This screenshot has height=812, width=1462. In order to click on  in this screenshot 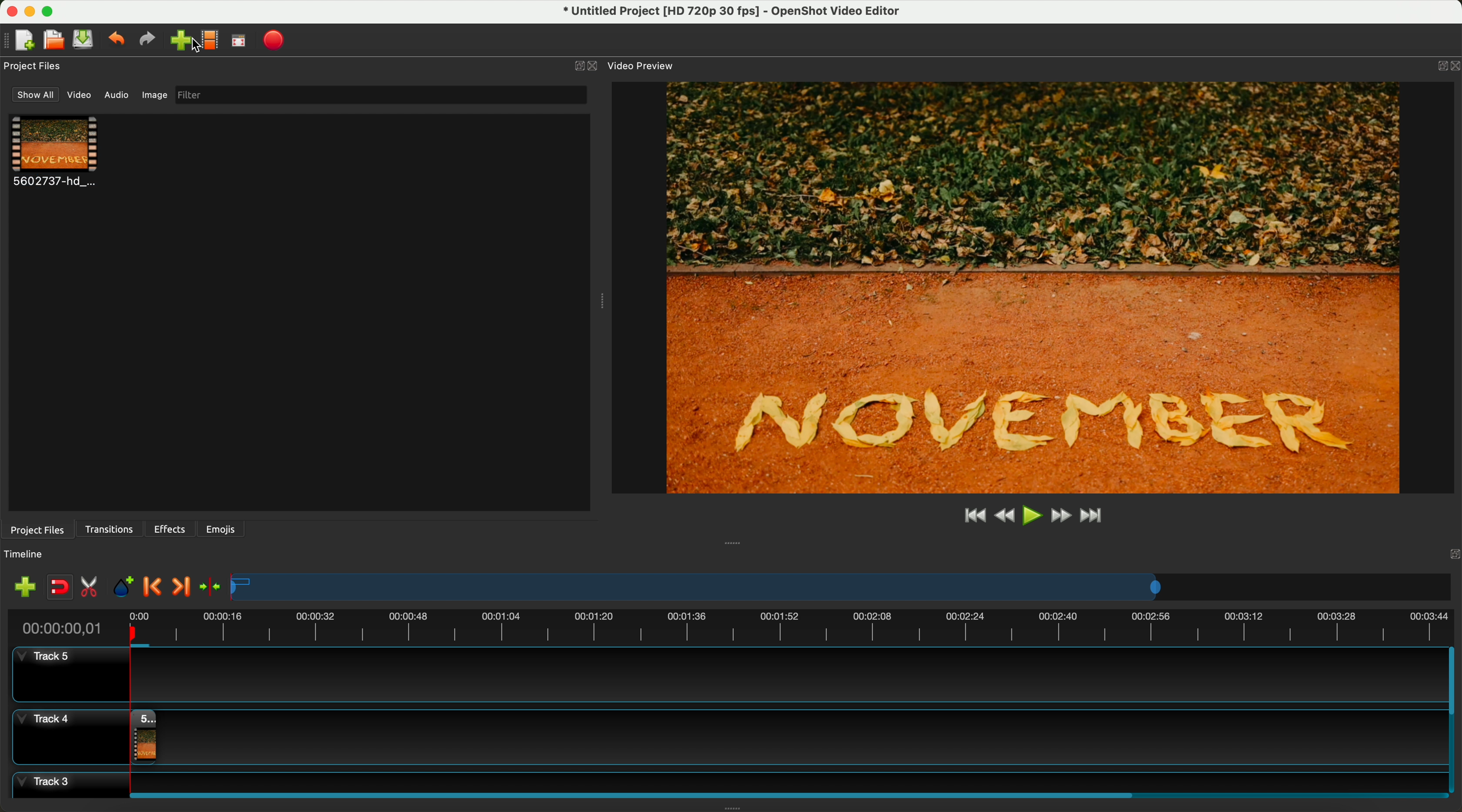, I will do `click(195, 47)`.